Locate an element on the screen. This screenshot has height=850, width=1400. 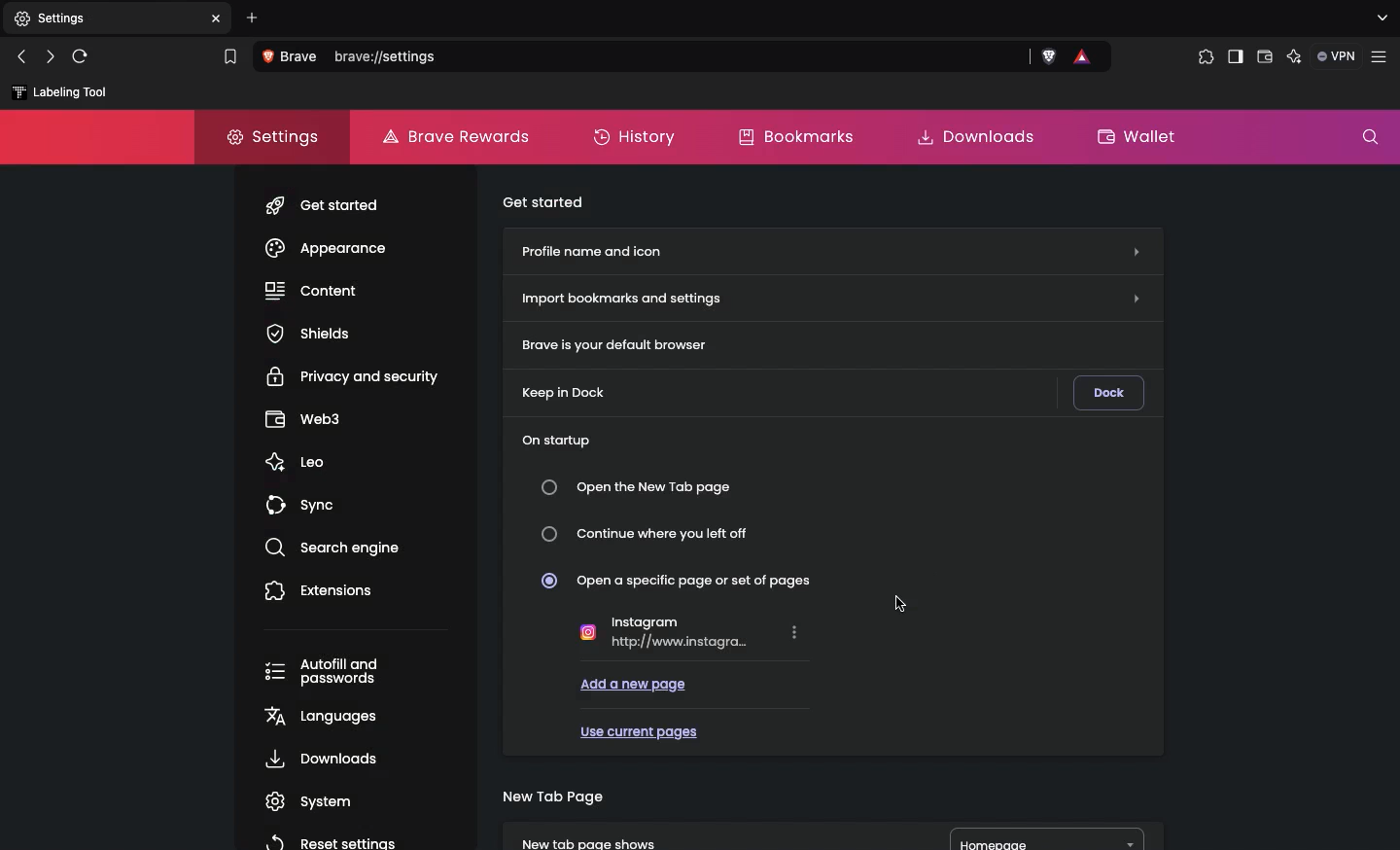
Downloads is located at coordinates (318, 759).